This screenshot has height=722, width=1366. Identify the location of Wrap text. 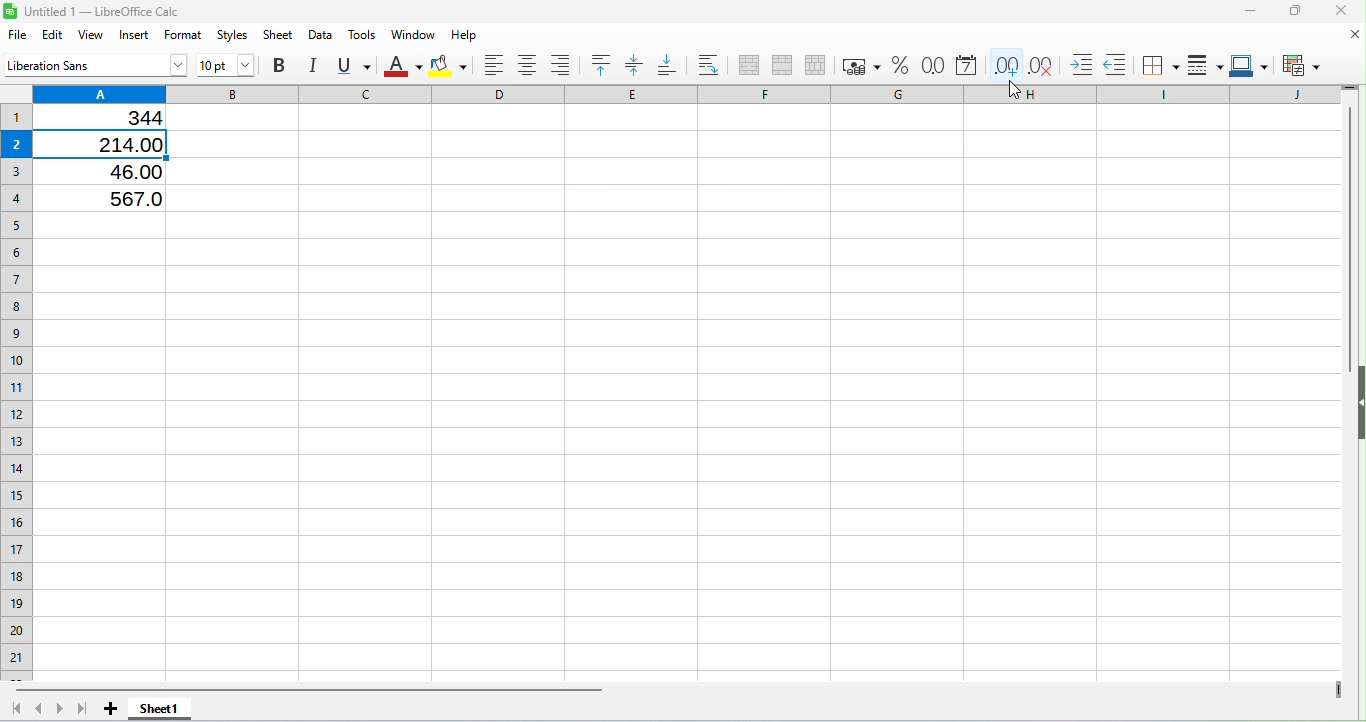
(708, 64).